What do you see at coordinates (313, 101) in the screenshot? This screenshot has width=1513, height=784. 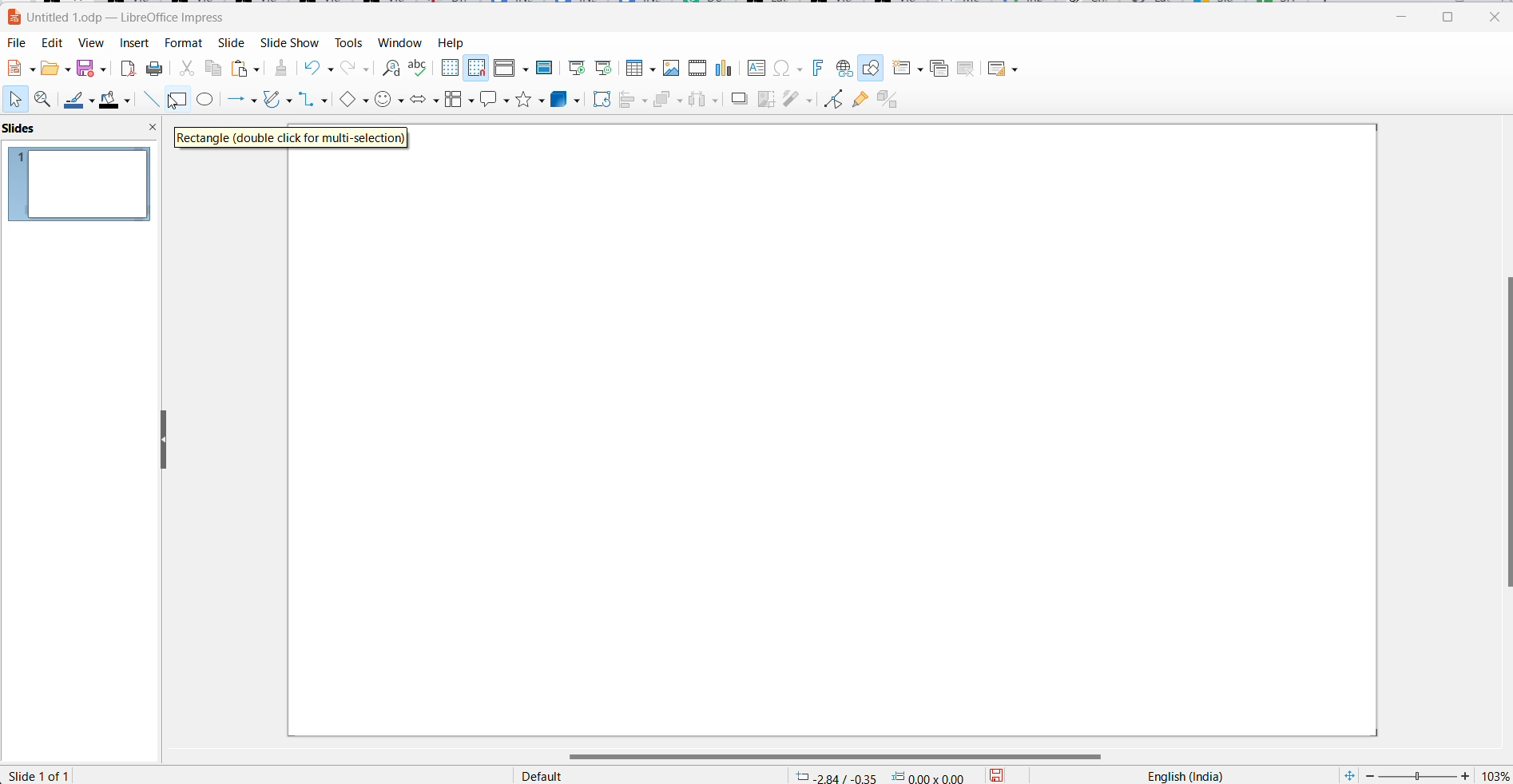 I see `connectors` at bounding box center [313, 101].